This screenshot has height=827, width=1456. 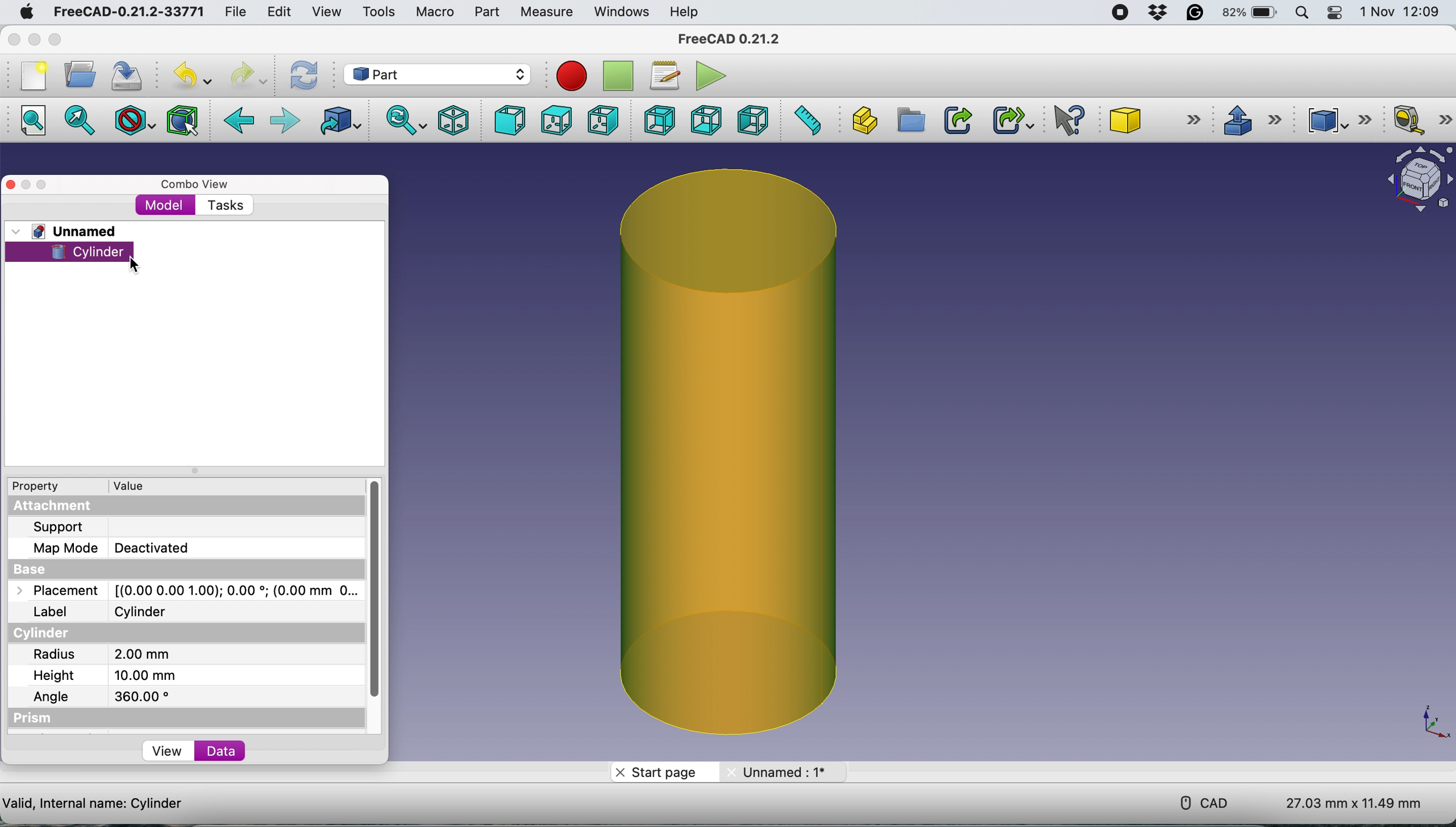 I want to click on minimise, so click(x=35, y=40).